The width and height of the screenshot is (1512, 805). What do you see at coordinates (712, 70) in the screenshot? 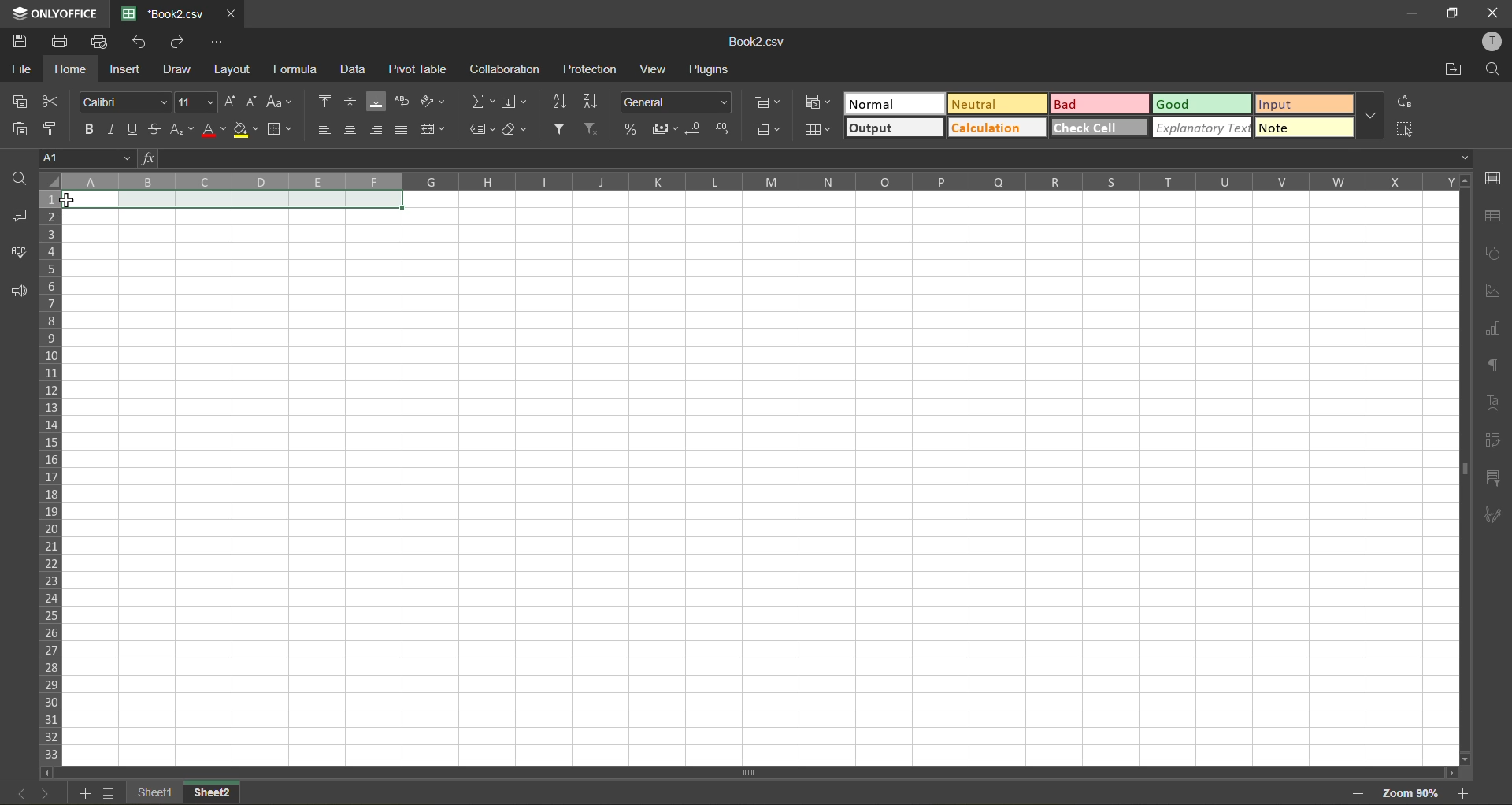
I see `plugins` at bounding box center [712, 70].